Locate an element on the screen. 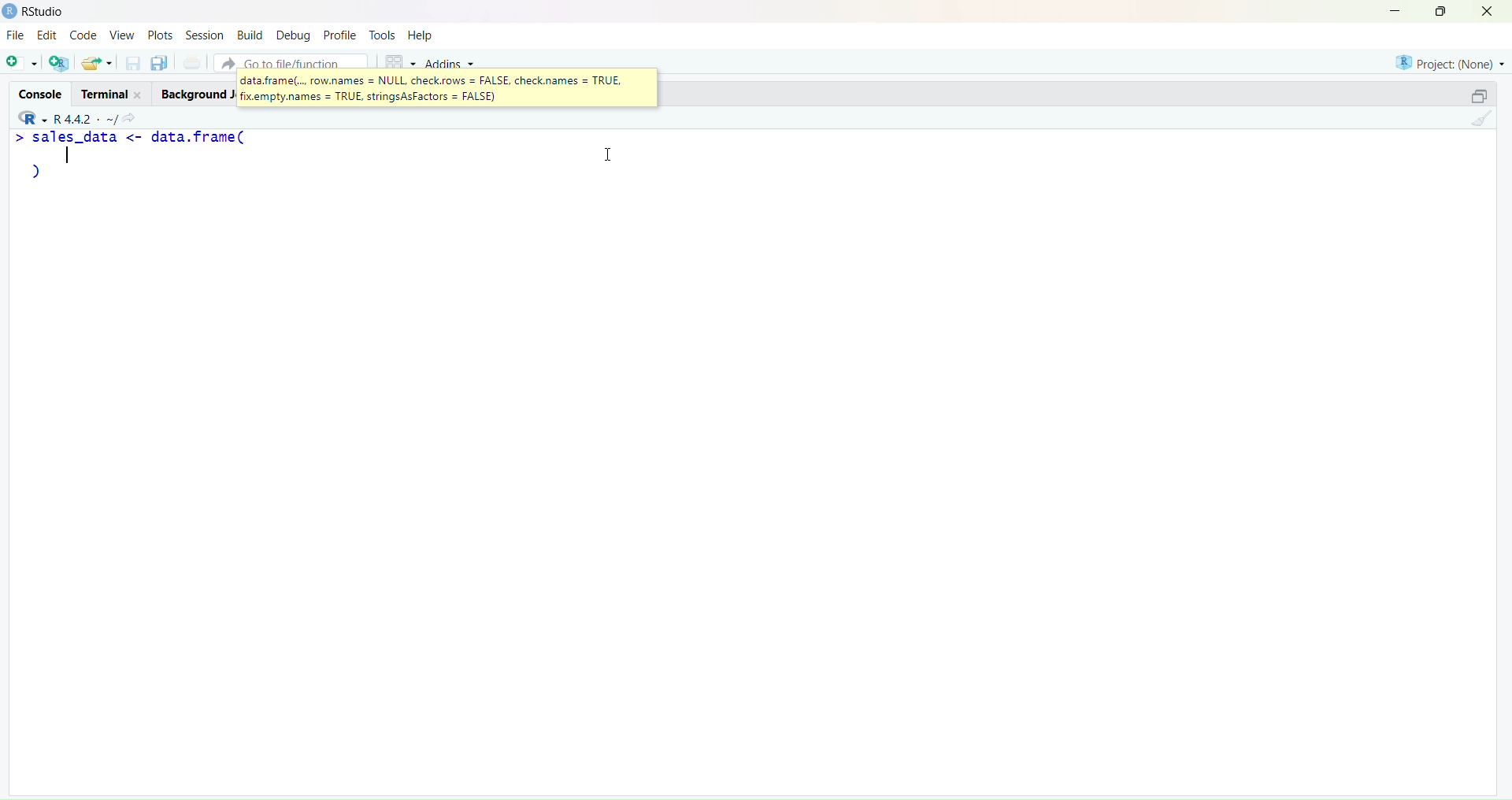 This screenshot has height=800, width=1512. Profile is located at coordinates (340, 36).